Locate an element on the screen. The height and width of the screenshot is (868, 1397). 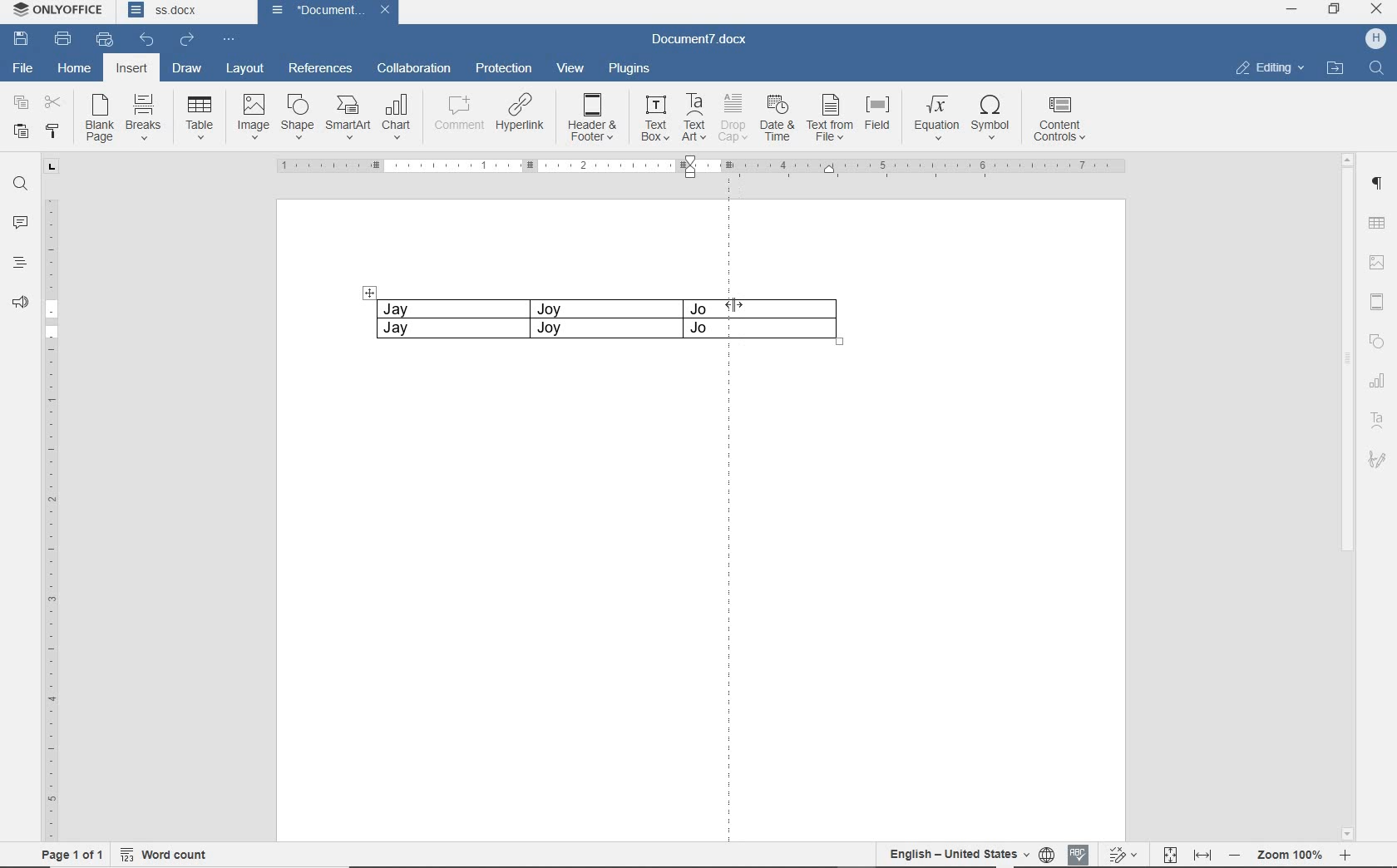
COLLABORATION is located at coordinates (412, 70).